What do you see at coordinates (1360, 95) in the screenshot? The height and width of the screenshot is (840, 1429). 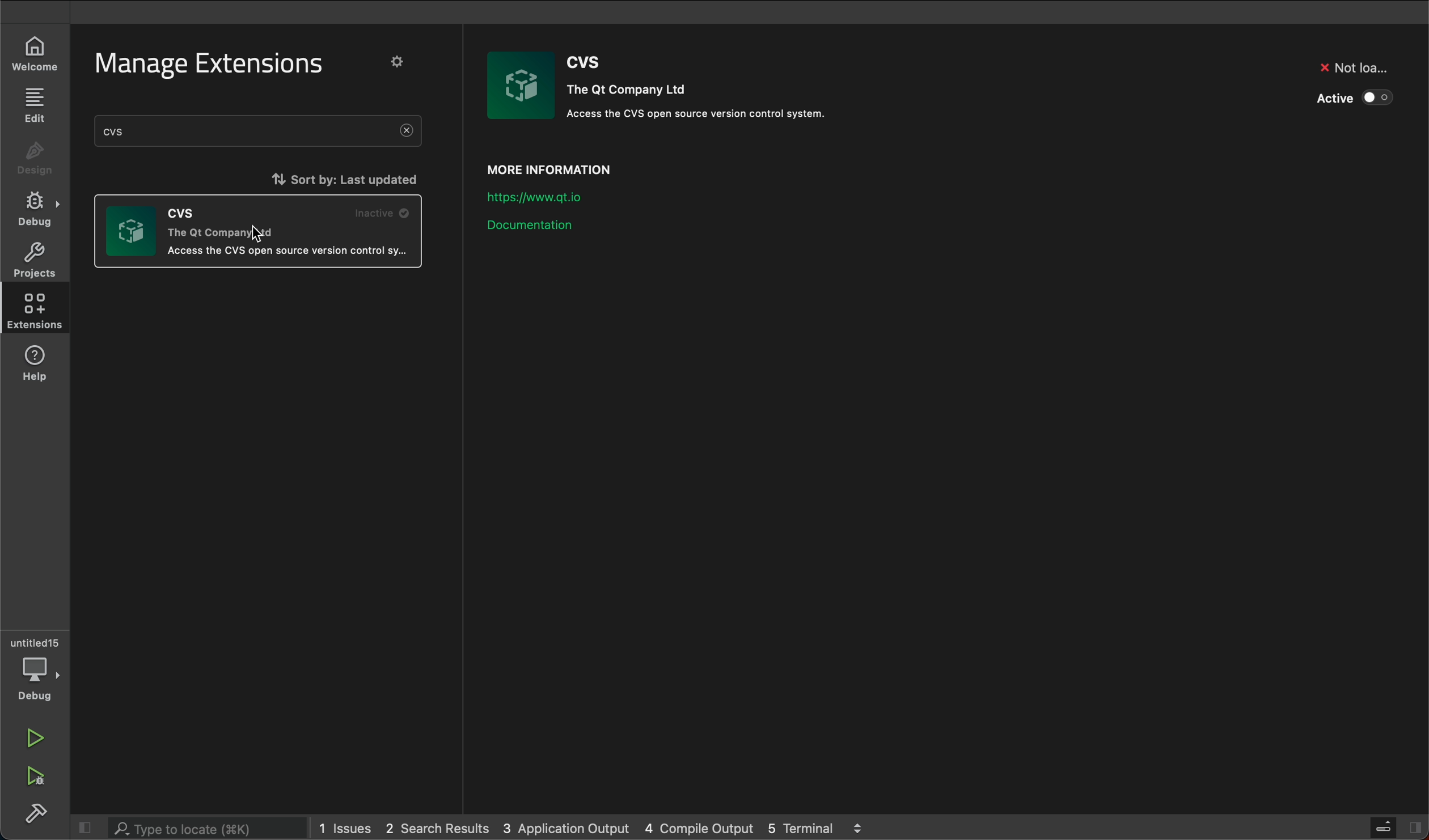 I see `active` at bounding box center [1360, 95].